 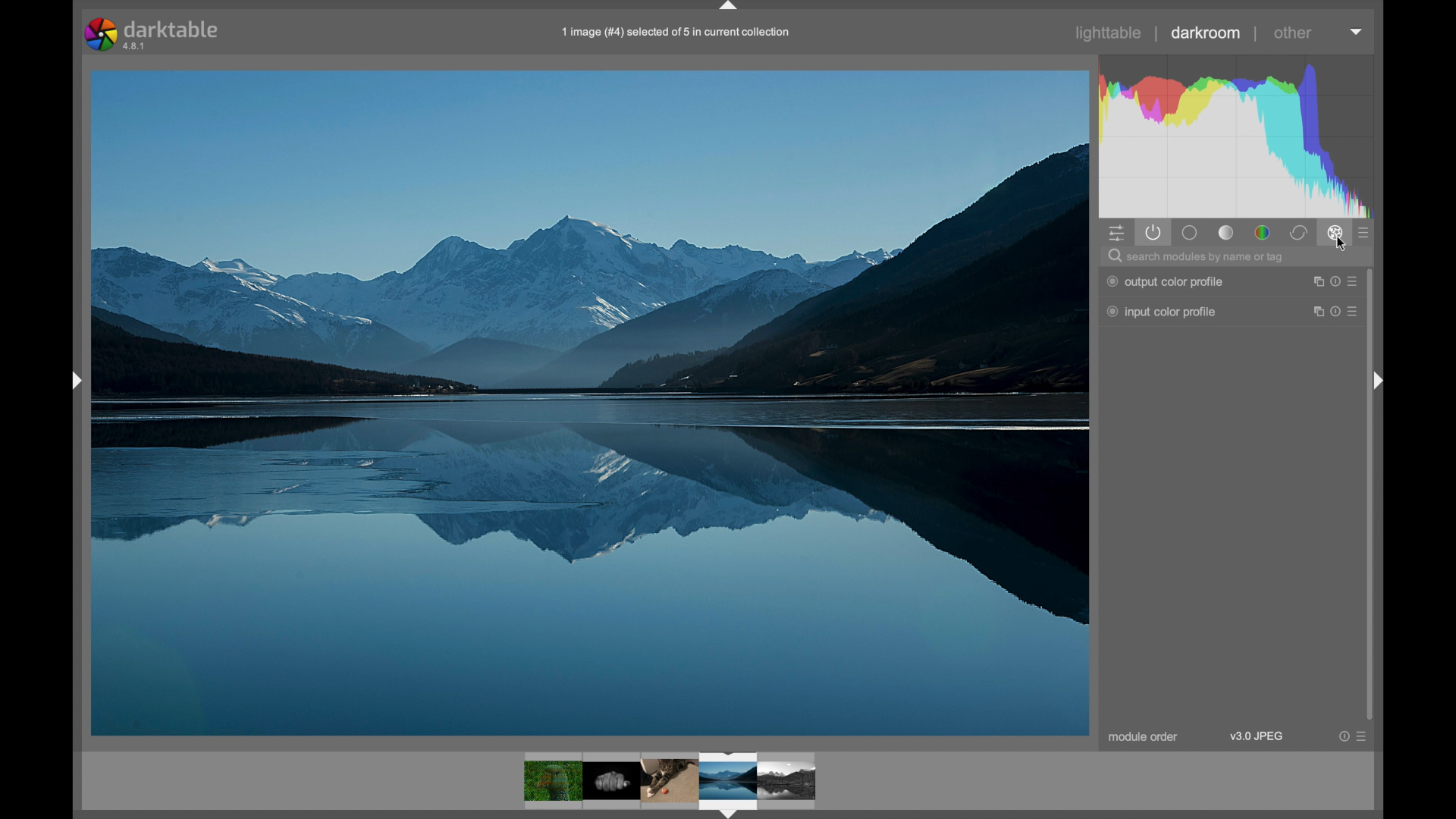 What do you see at coordinates (74, 380) in the screenshot?
I see `drag handle` at bounding box center [74, 380].